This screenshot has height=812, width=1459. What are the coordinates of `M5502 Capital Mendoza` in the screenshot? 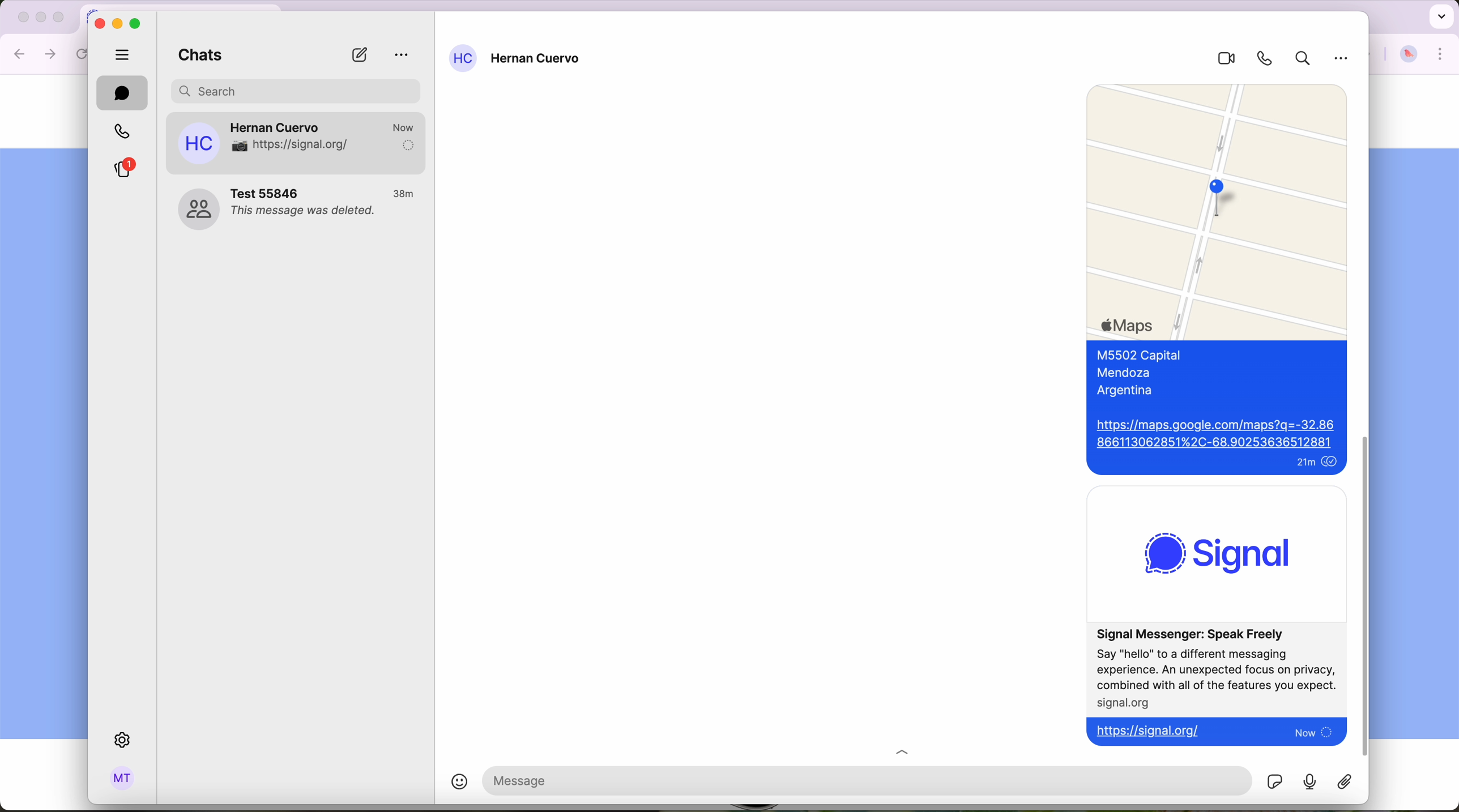 It's located at (321, 145).